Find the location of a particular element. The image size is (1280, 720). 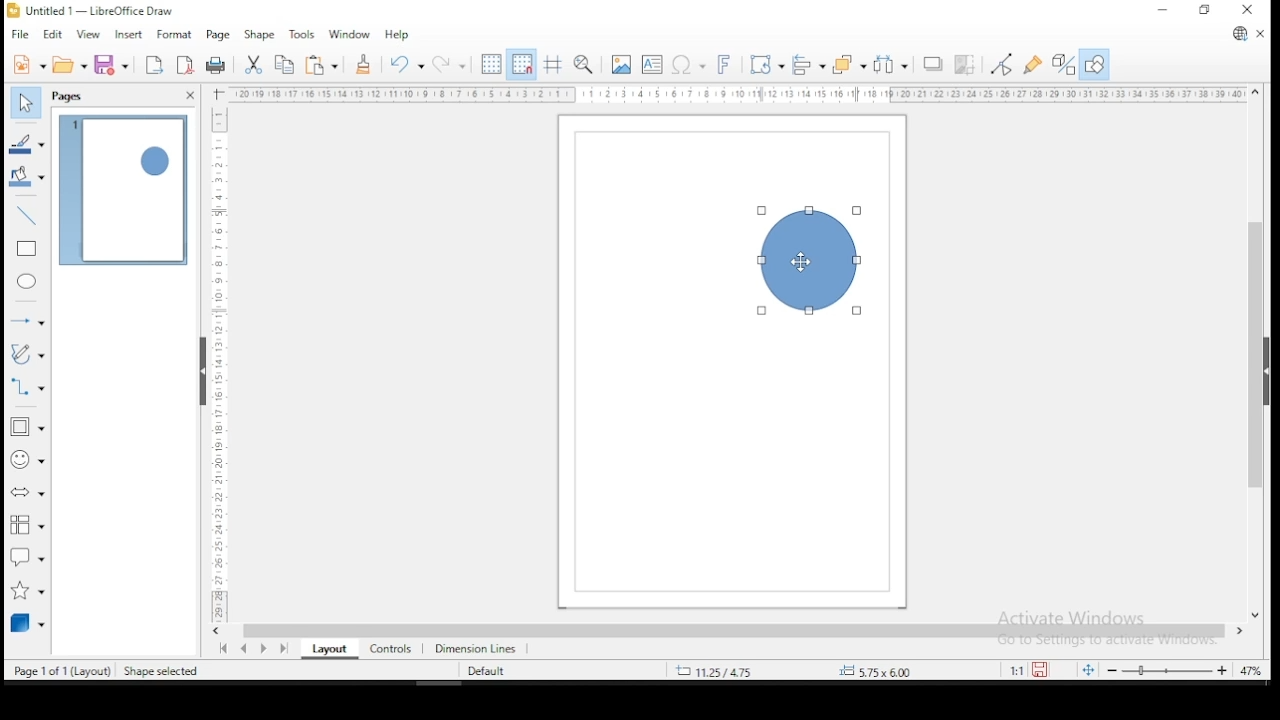

stars and banners is located at coordinates (29, 586).